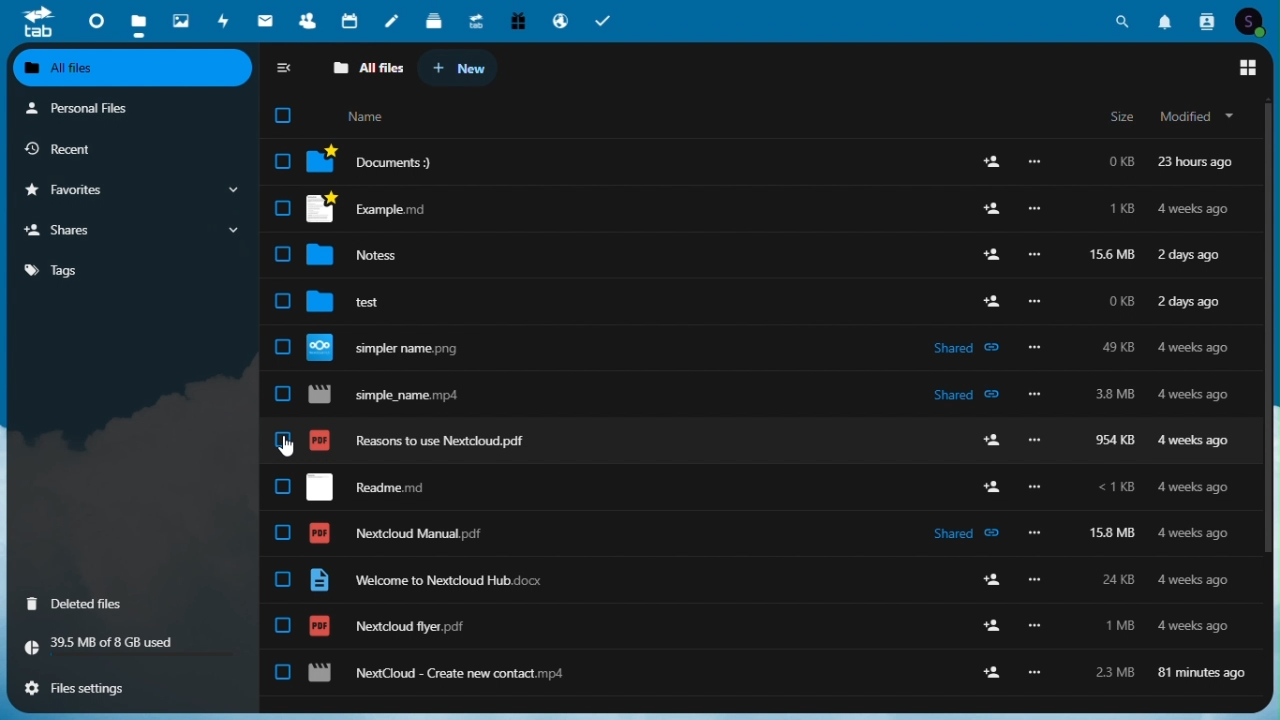 This screenshot has height=720, width=1280. I want to click on all files, so click(134, 68).